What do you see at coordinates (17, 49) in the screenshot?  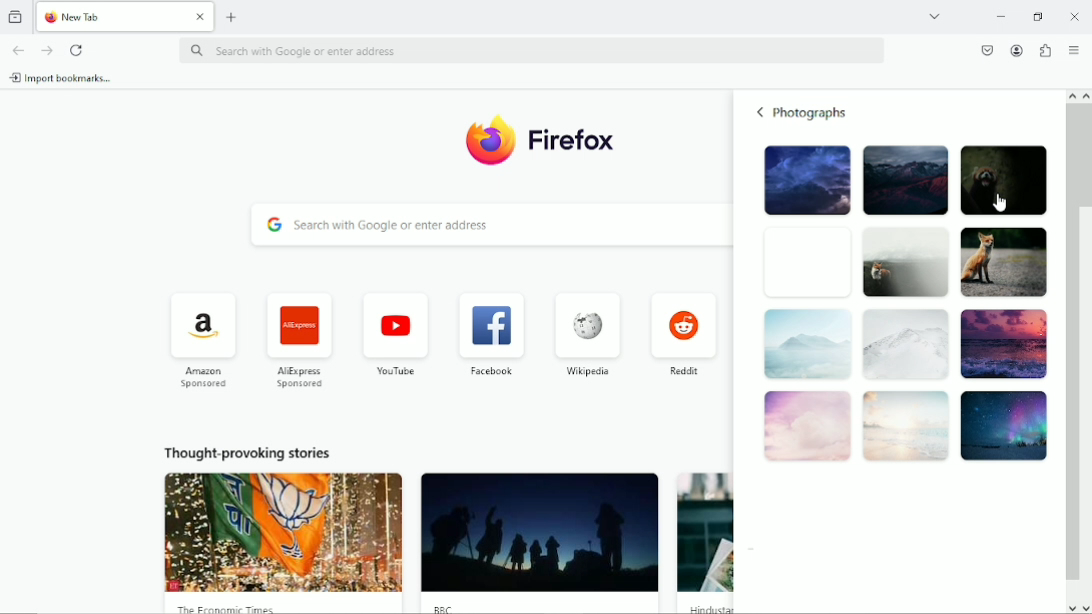 I see `Go back` at bounding box center [17, 49].